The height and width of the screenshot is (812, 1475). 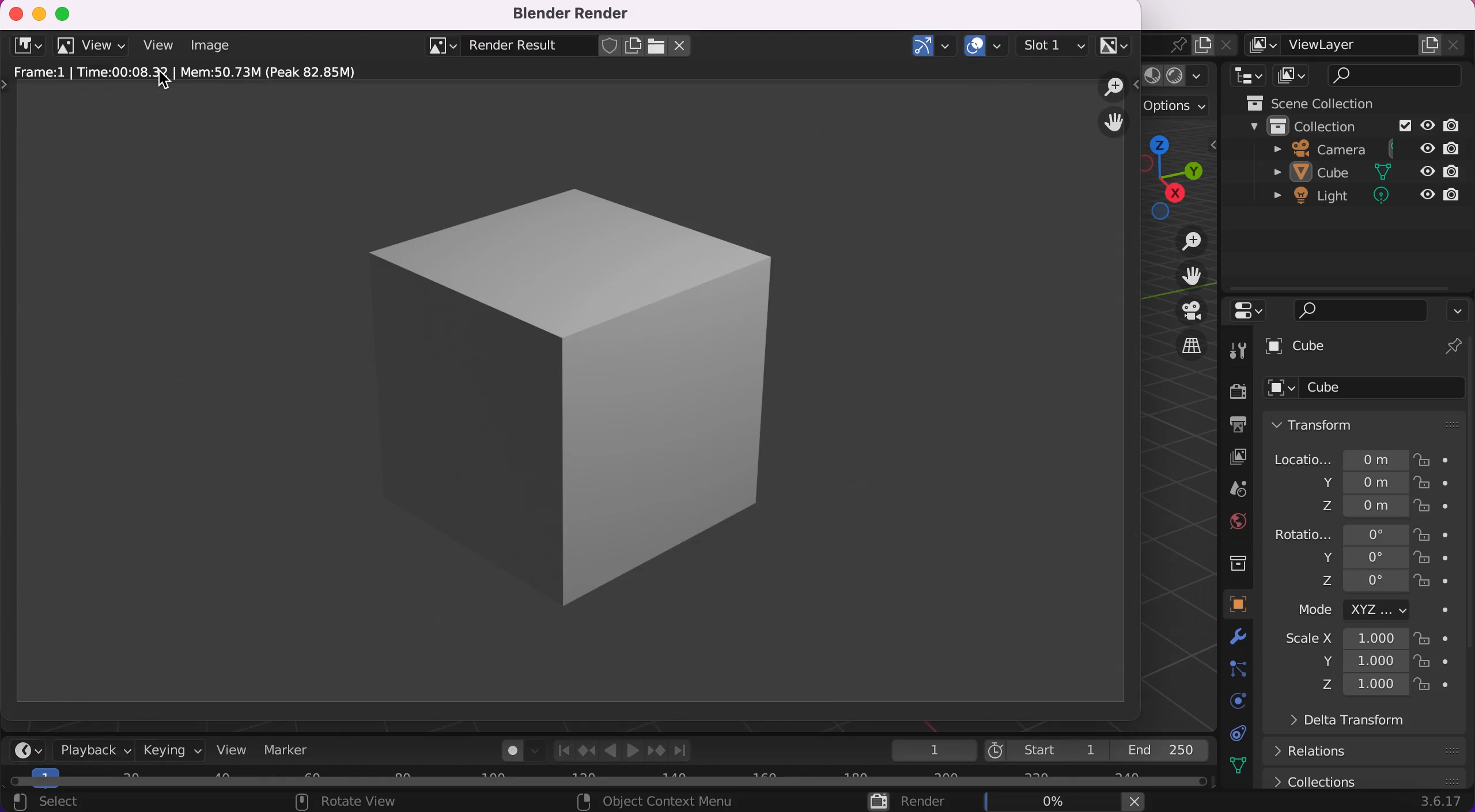 What do you see at coordinates (1338, 533) in the screenshot?
I see `rotatio... 0` at bounding box center [1338, 533].